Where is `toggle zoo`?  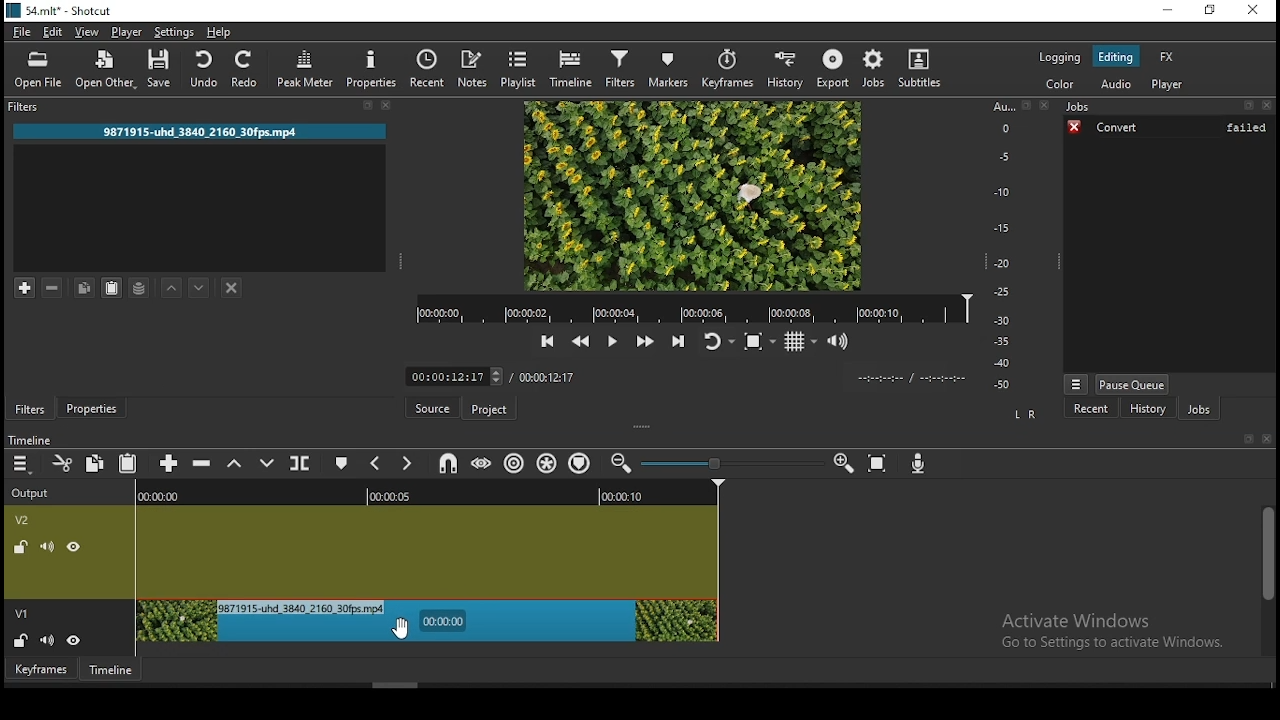 toggle zoo is located at coordinates (757, 342).